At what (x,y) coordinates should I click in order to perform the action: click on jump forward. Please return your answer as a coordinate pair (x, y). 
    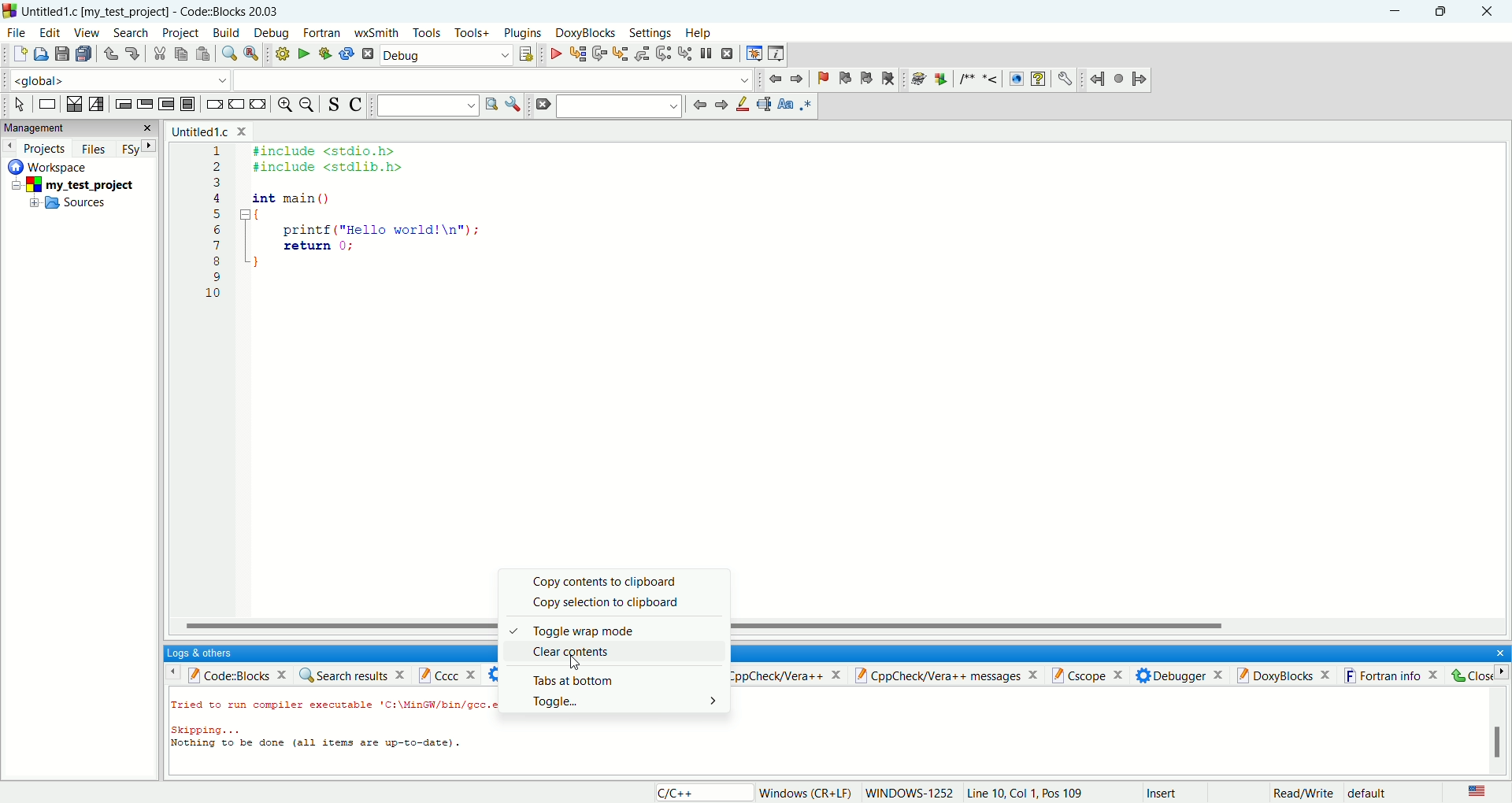
    Looking at the image, I should click on (1140, 77).